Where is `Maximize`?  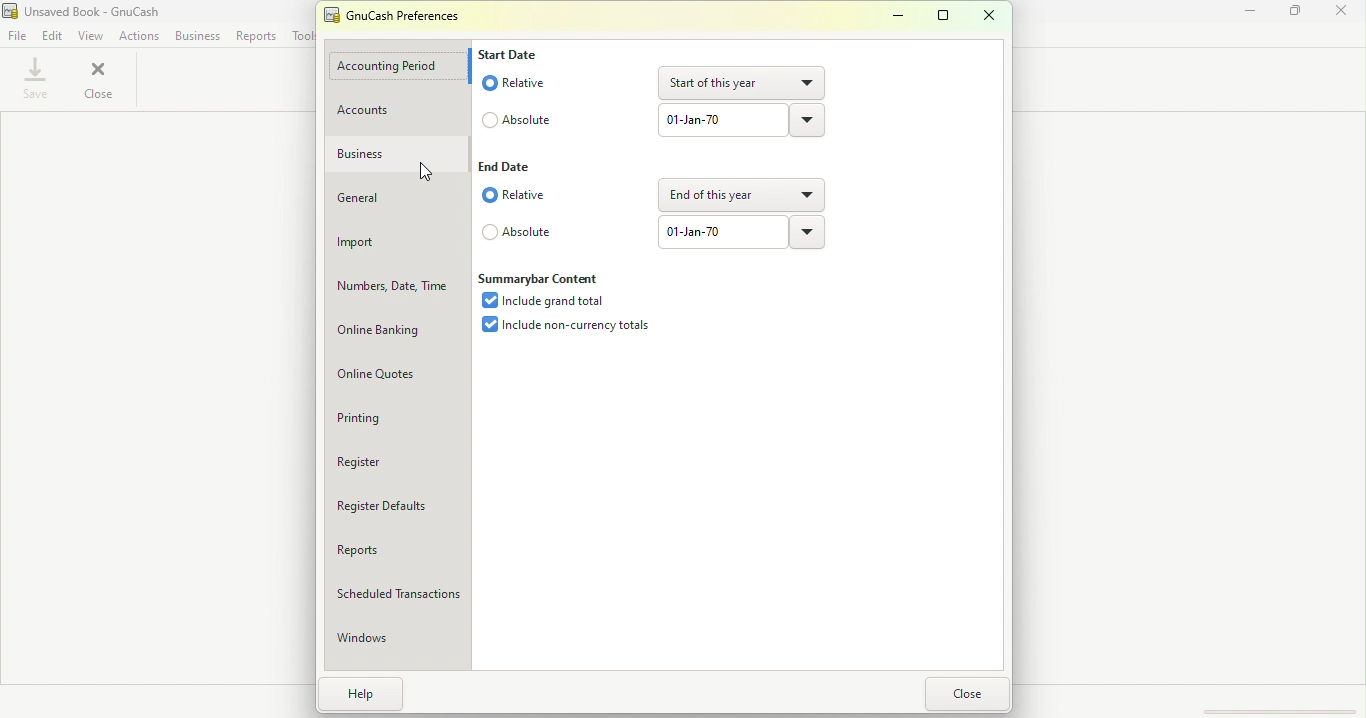
Maximize is located at coordinates (1298, 16).